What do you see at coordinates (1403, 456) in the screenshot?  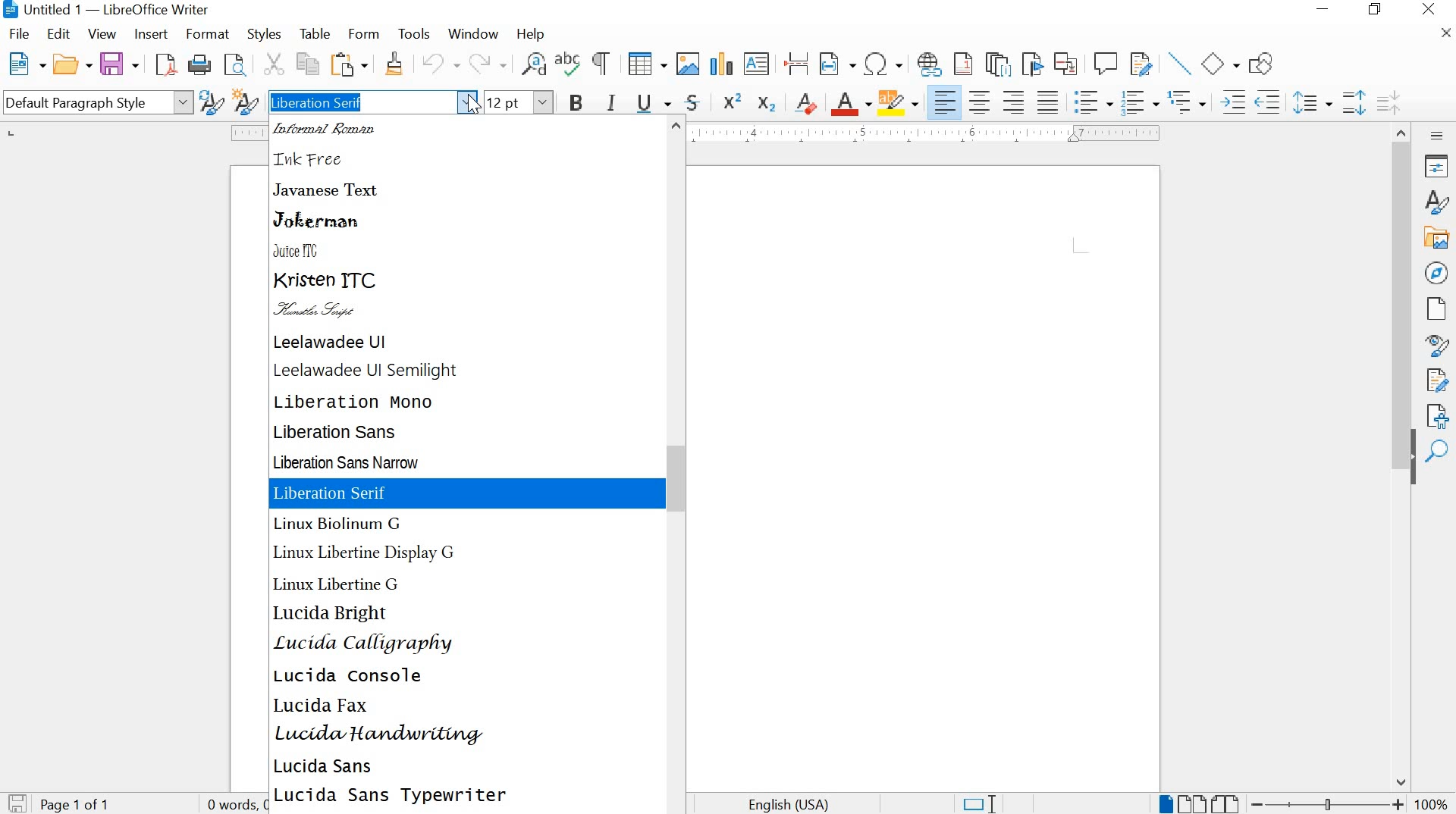 I see `SCROLLBAR` at bounding box center [1403, 456].